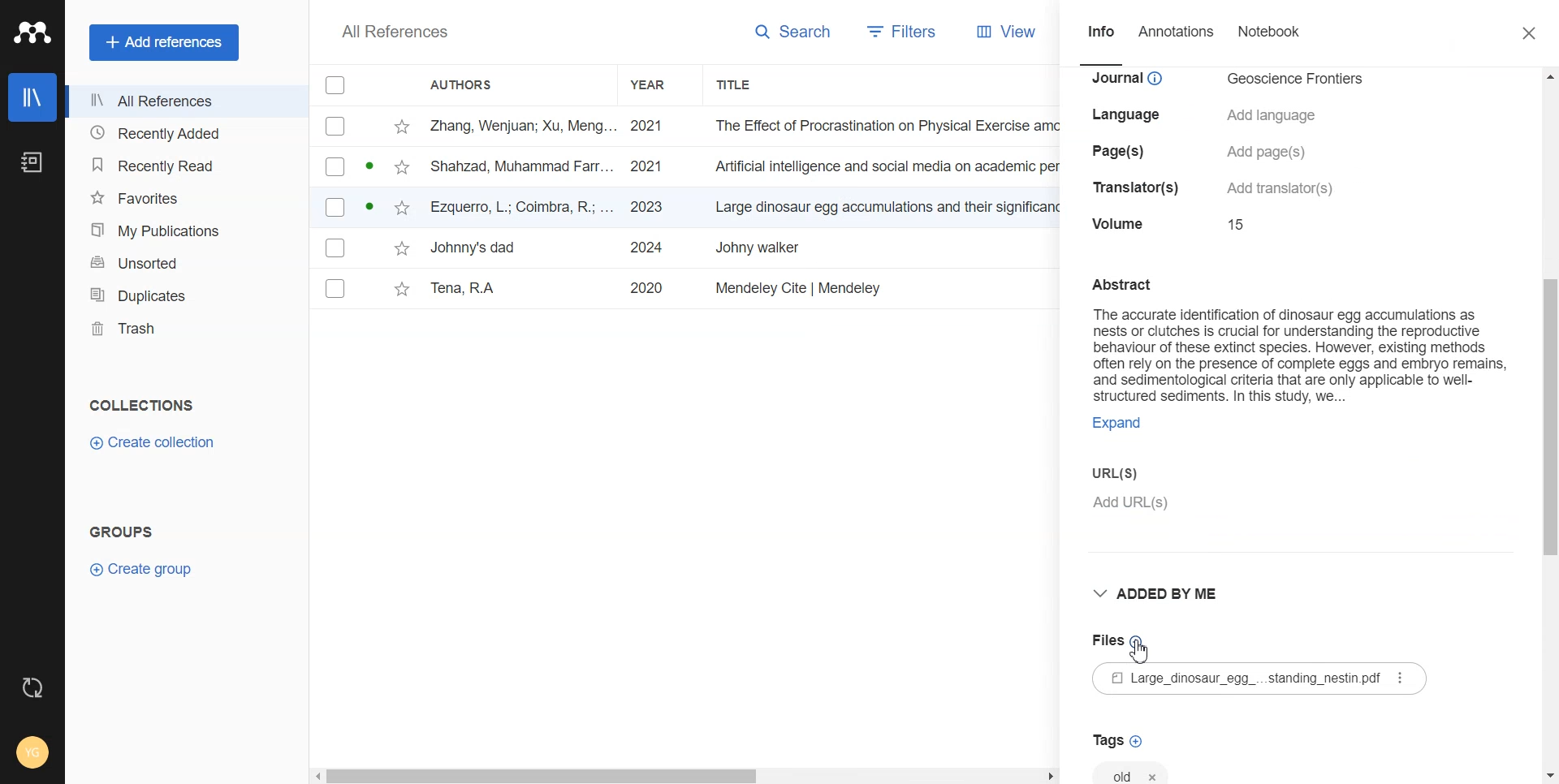  What do you see at coordinates (185, 295) in the screenshot?
I see `Duplicates` at bounding box center [185, 295].